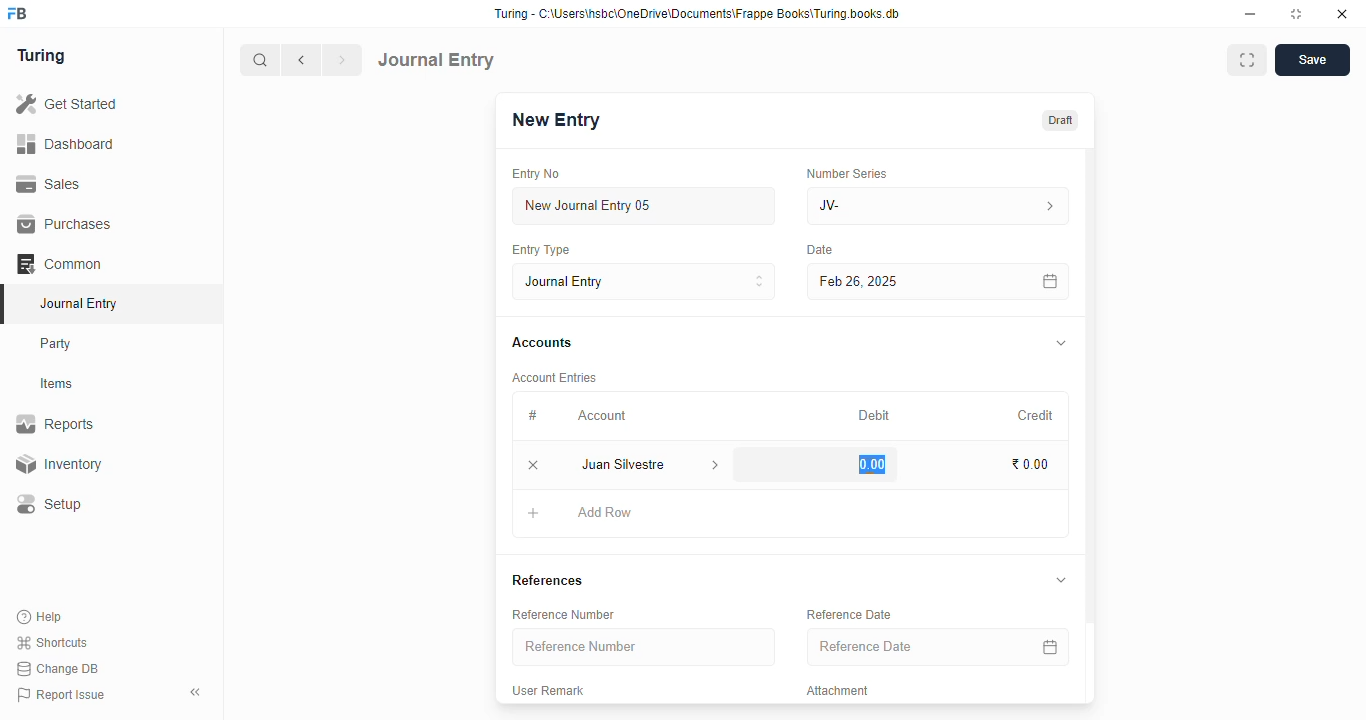  What do you see at coordinates (627, 465) in the screenshot?
I see `juan silvestre` at bounding box center [627, 465].